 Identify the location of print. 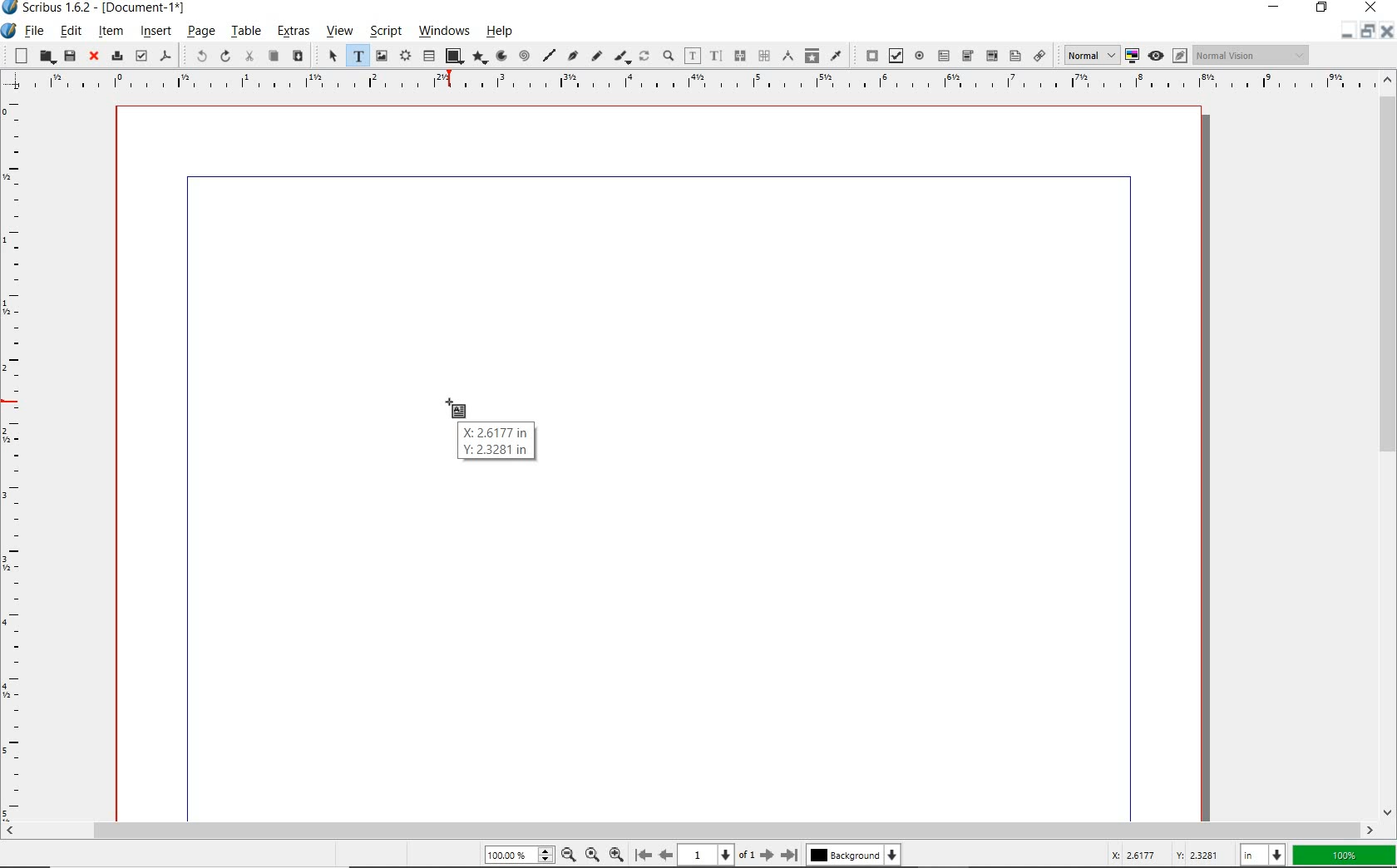
(116, 57).